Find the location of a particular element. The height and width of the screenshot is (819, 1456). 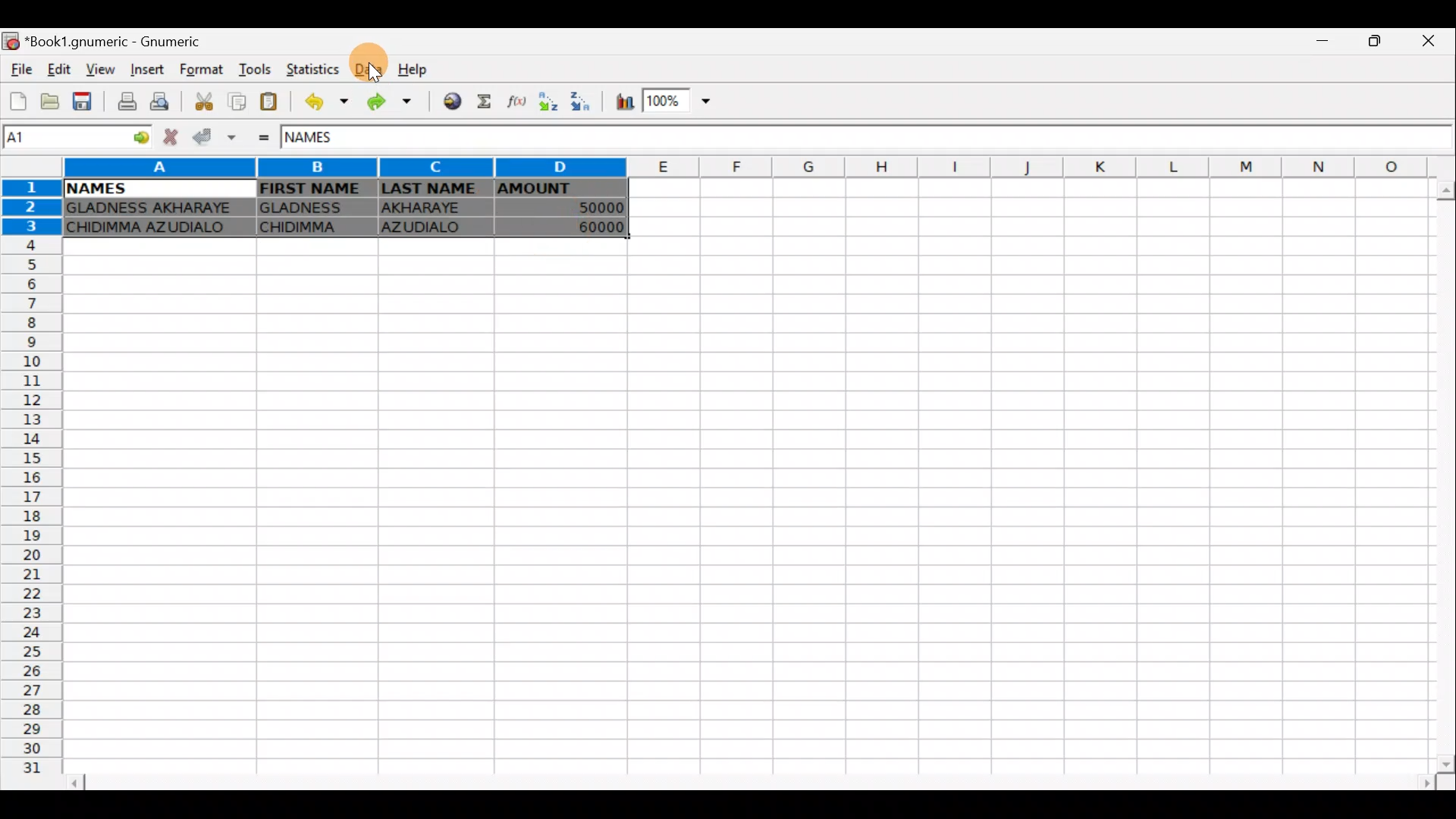

Tools is located at coordinates (258, 71).